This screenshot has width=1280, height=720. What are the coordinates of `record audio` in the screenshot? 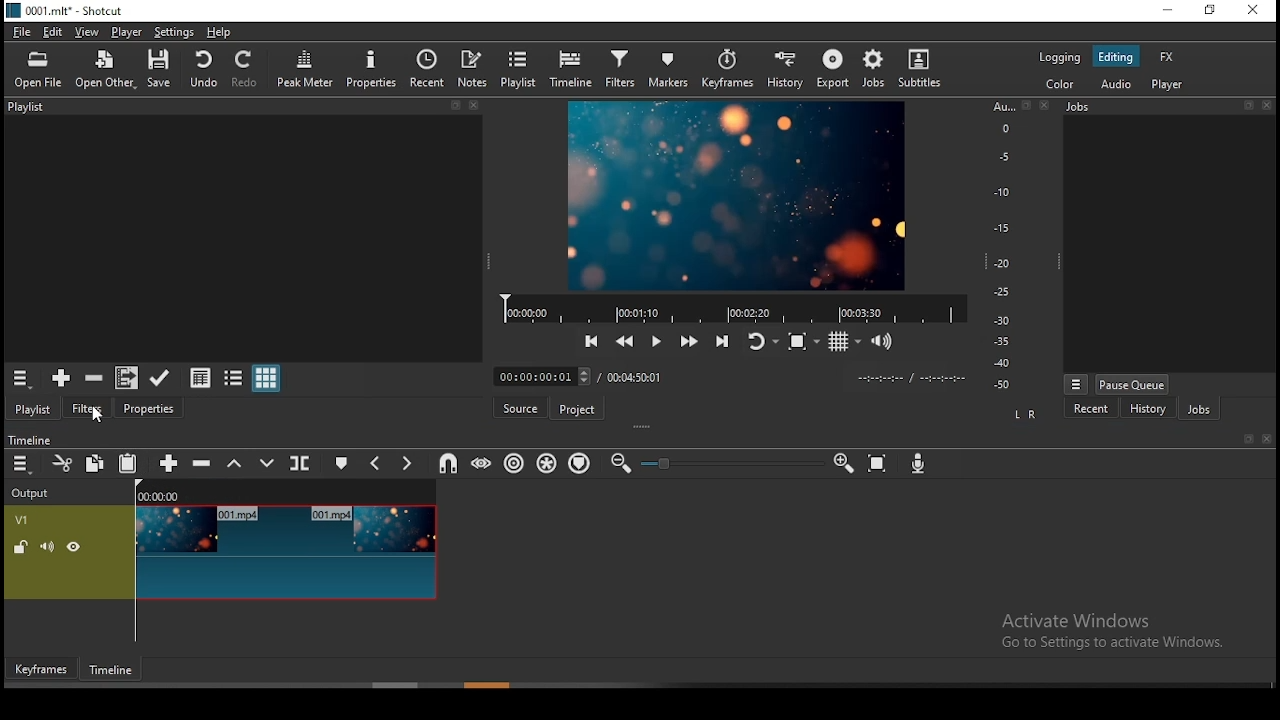 It's located at (918, 463).